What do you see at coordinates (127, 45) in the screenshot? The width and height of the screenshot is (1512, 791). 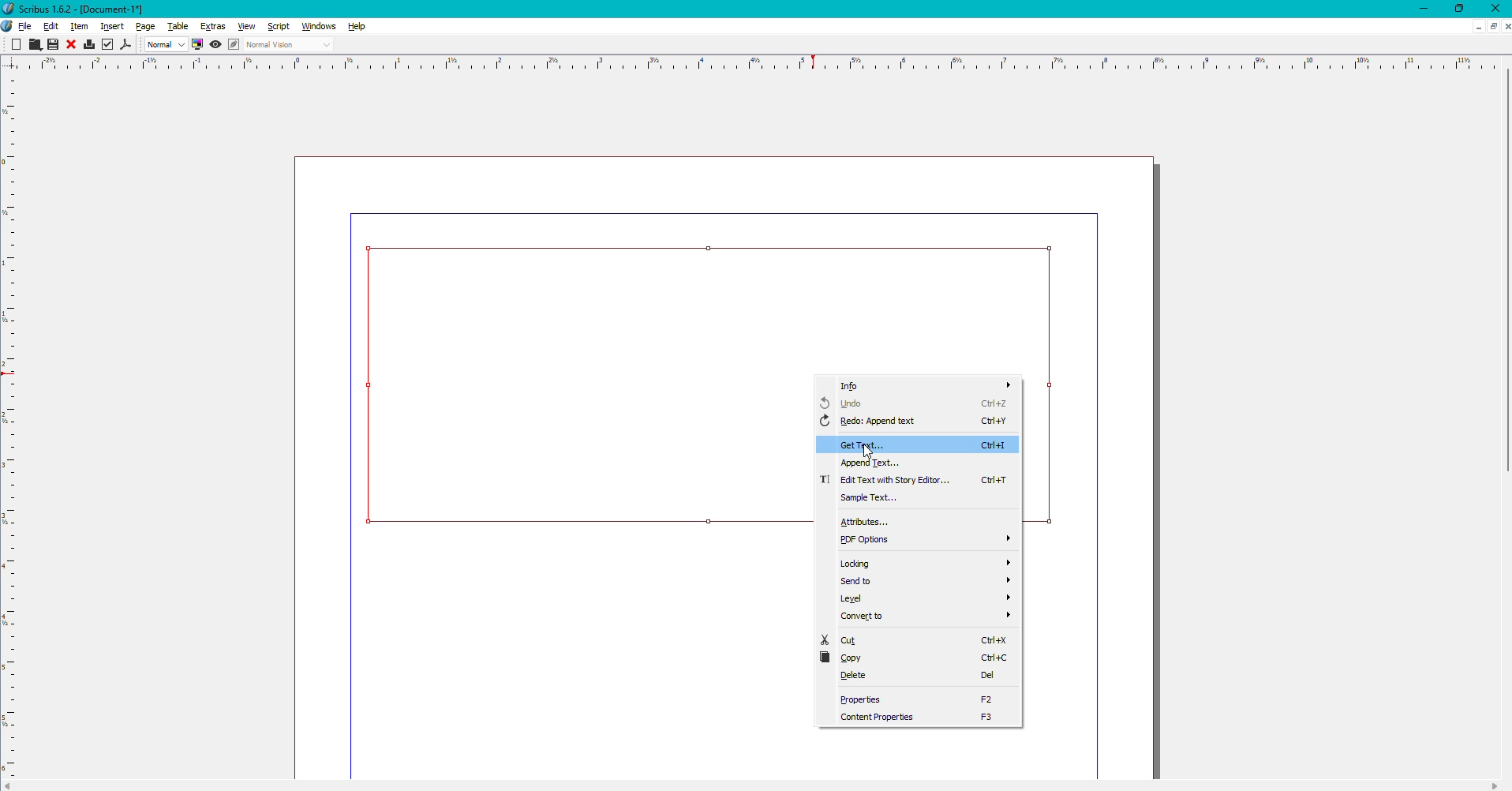 I see `PDF` at bounding box center [127, 45].